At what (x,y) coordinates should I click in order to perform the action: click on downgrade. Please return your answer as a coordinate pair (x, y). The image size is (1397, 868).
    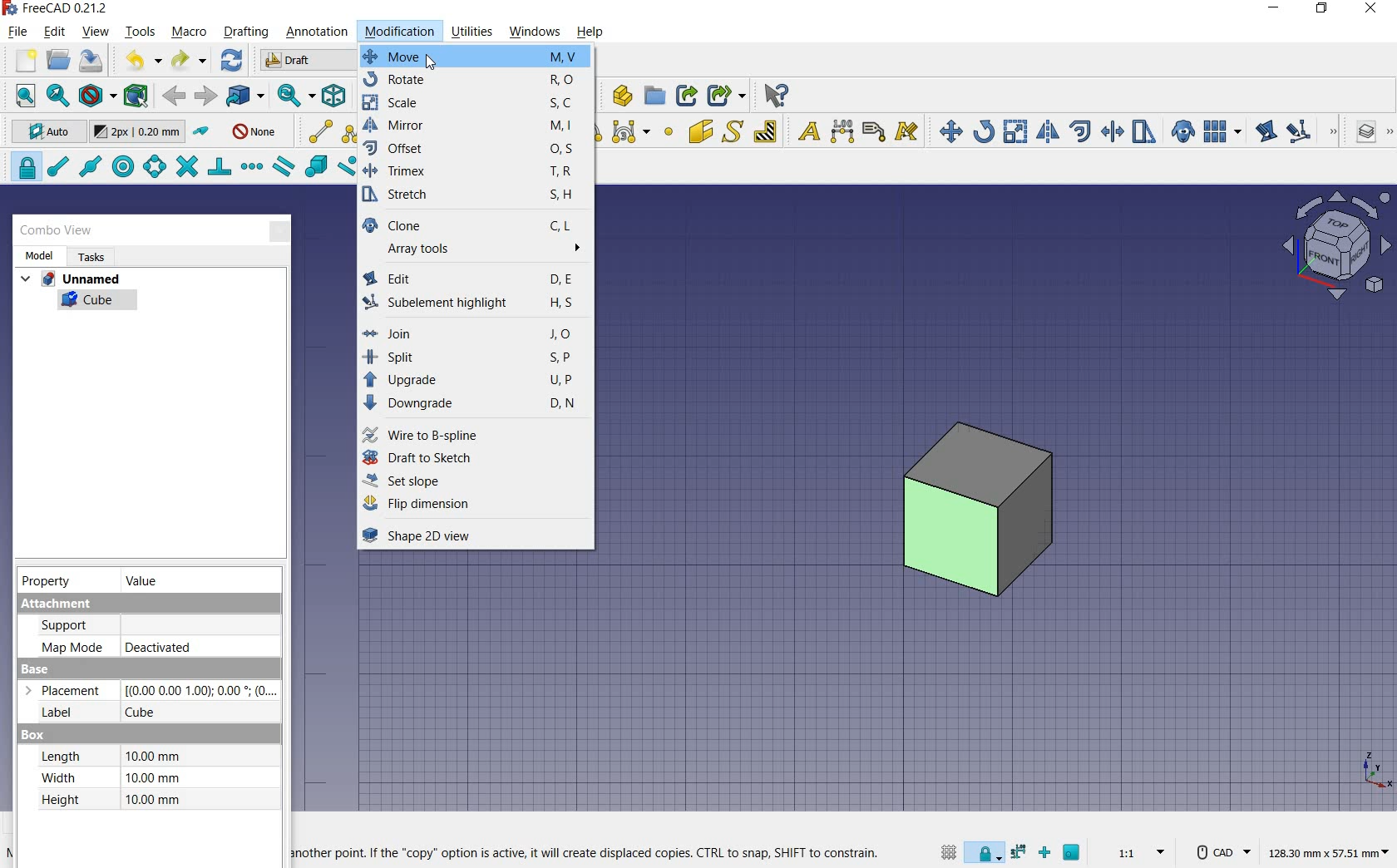
    Looking at the image, I should click on (476, 404).